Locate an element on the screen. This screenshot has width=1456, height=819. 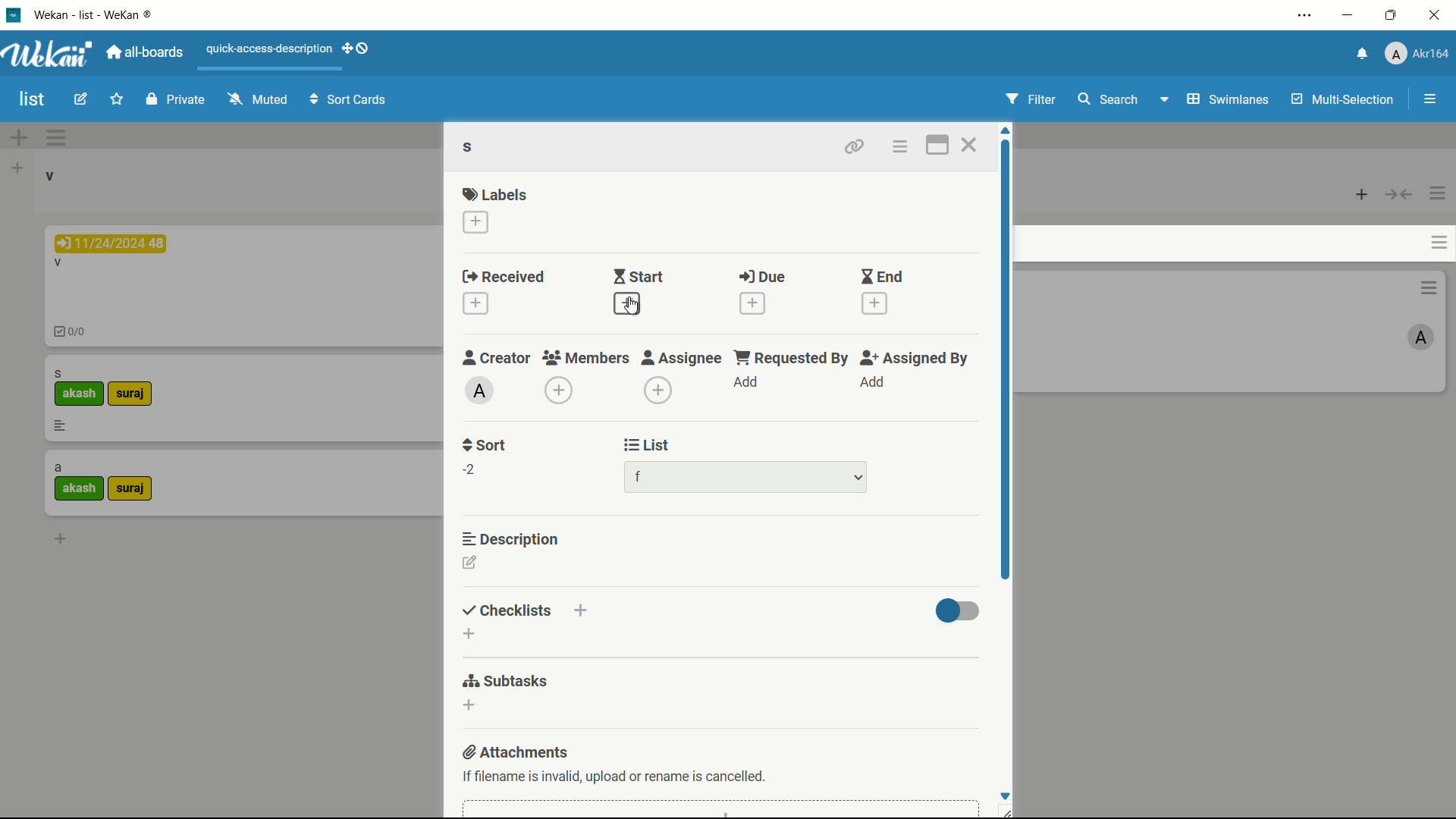
all boards is located at coordinates (143, 54).